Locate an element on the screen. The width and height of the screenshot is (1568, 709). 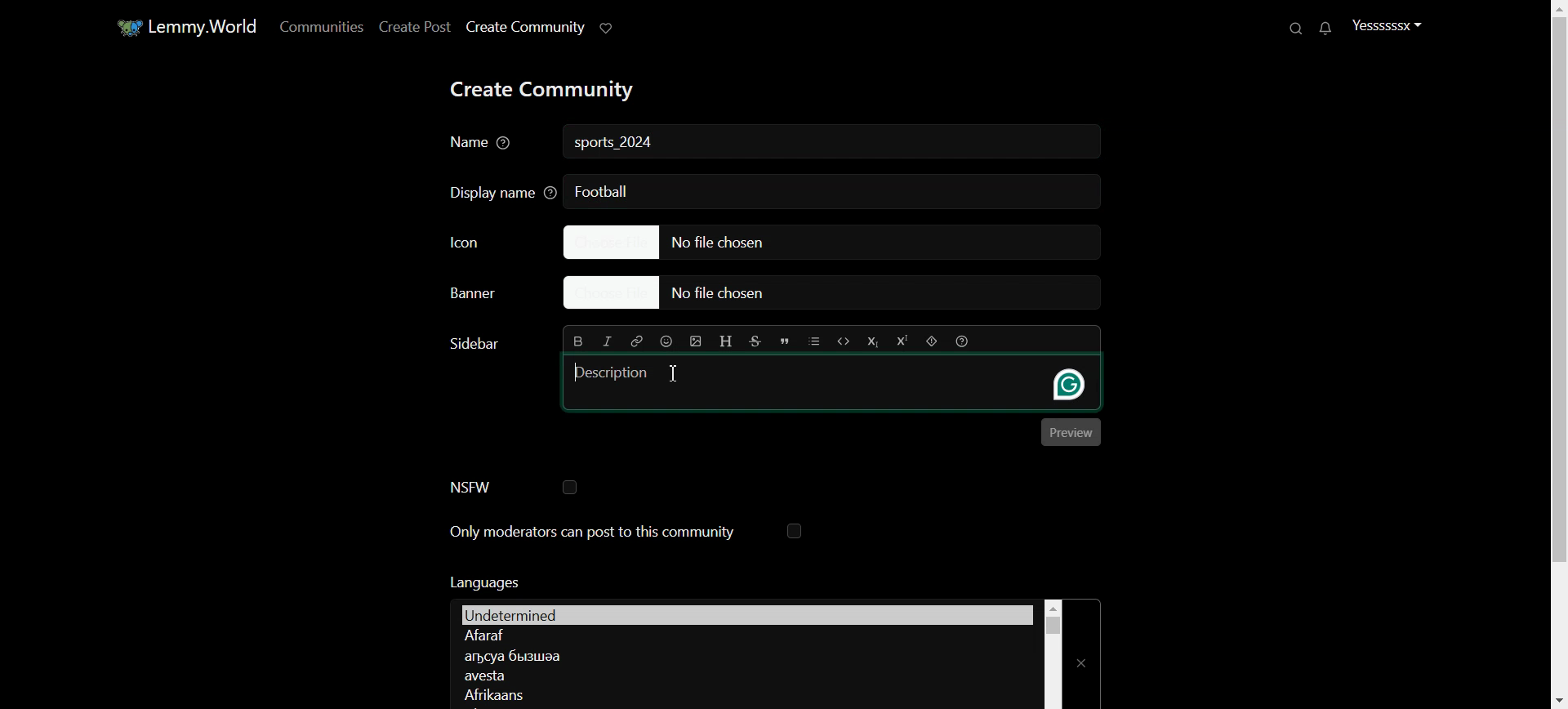
grammarly icon is located at coordinates (1070, 384).